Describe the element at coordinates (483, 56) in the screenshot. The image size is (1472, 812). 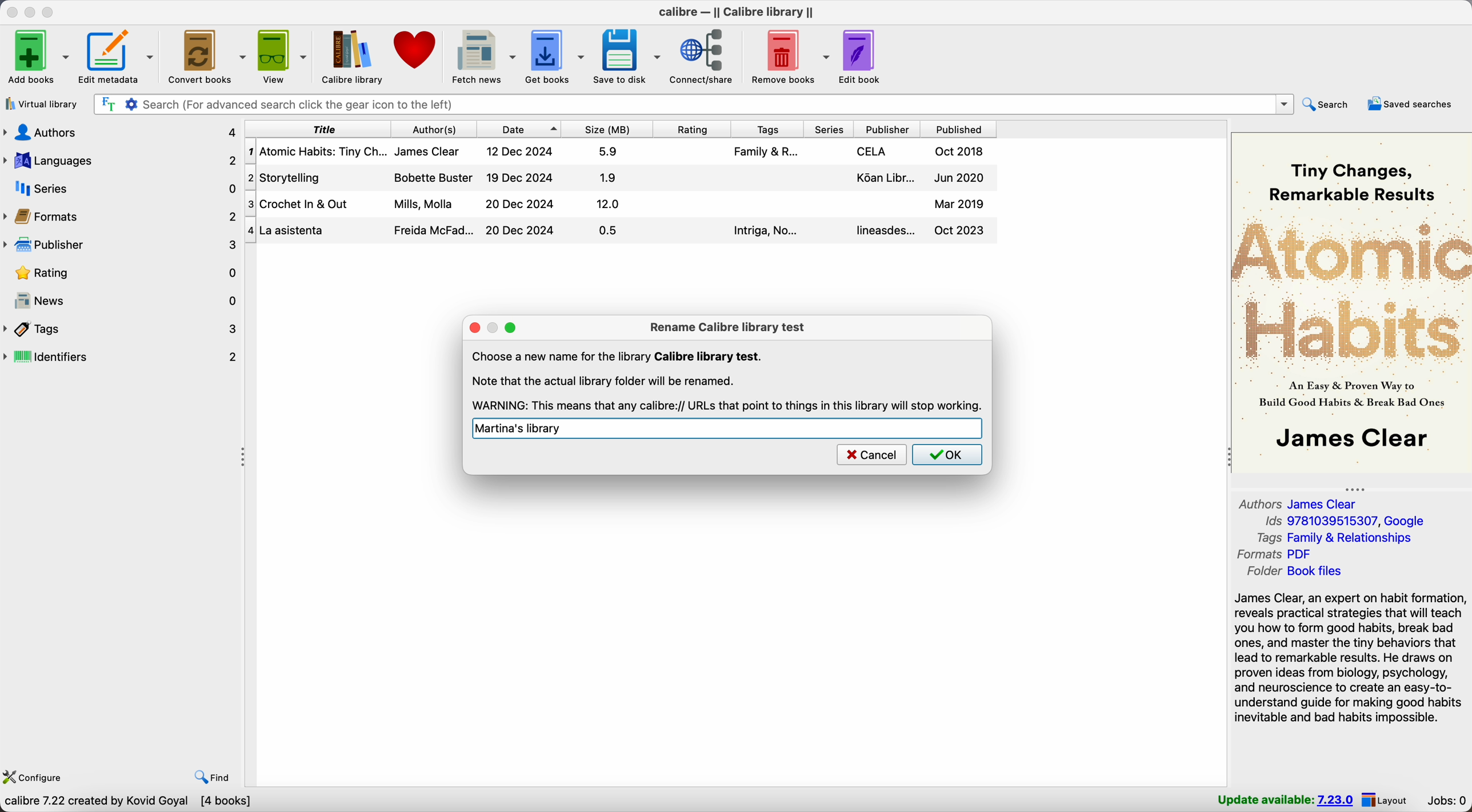
I see `fetch news` at that location.